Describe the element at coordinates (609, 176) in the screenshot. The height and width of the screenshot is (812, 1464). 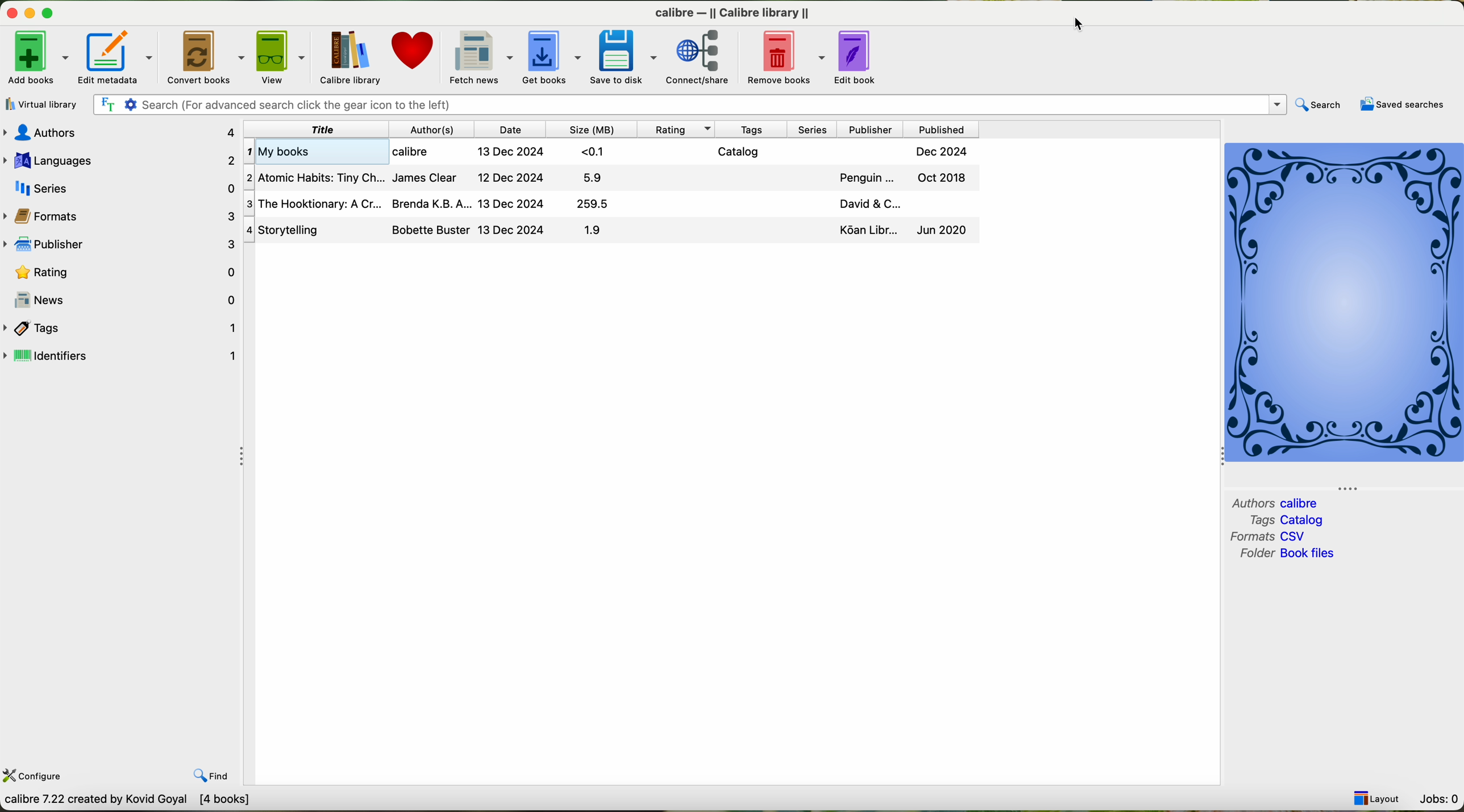
I see `Atomic Habits book details` at that location.